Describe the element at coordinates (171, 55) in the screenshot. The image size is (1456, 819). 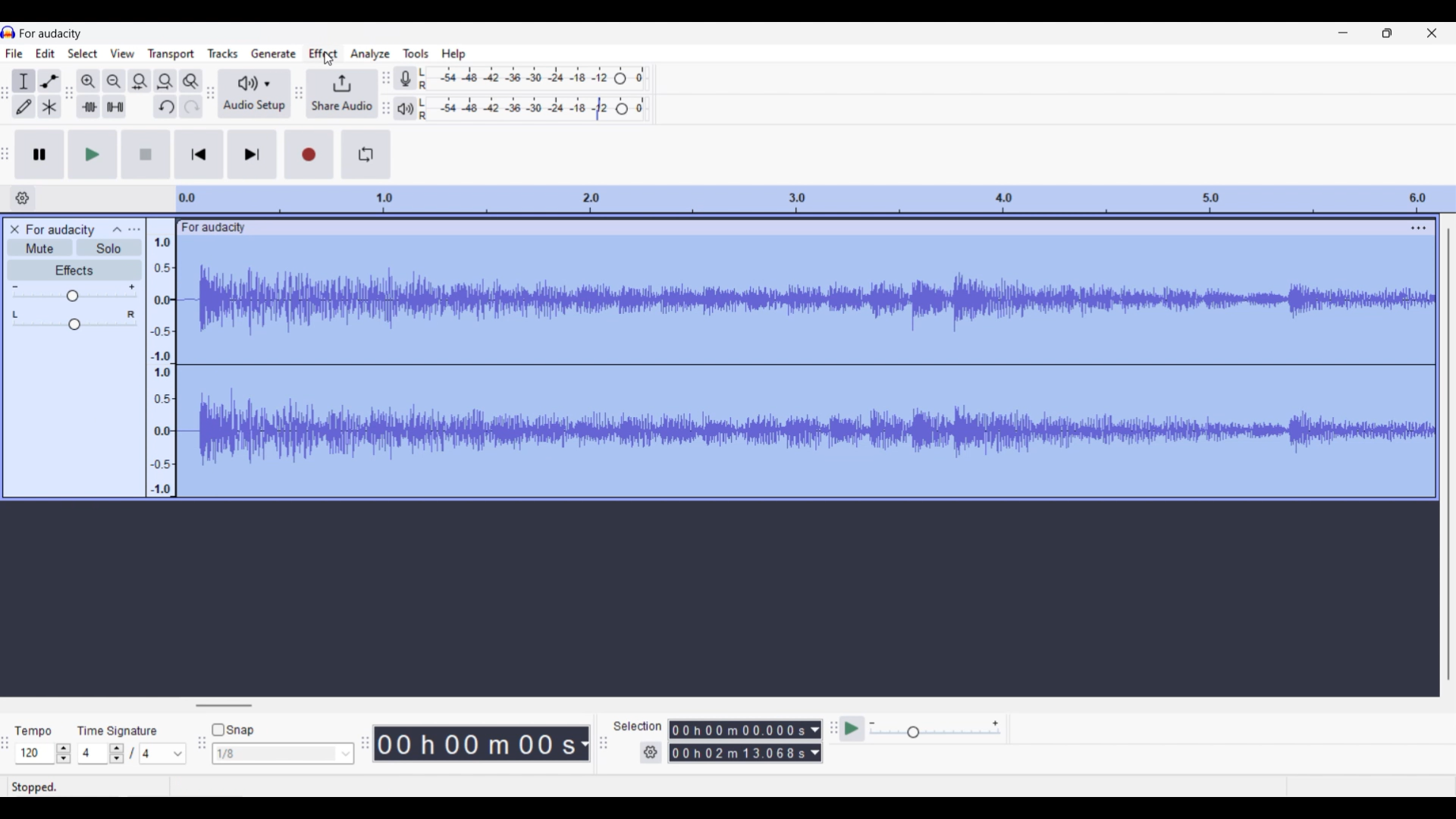
I see `Transport` at that location.